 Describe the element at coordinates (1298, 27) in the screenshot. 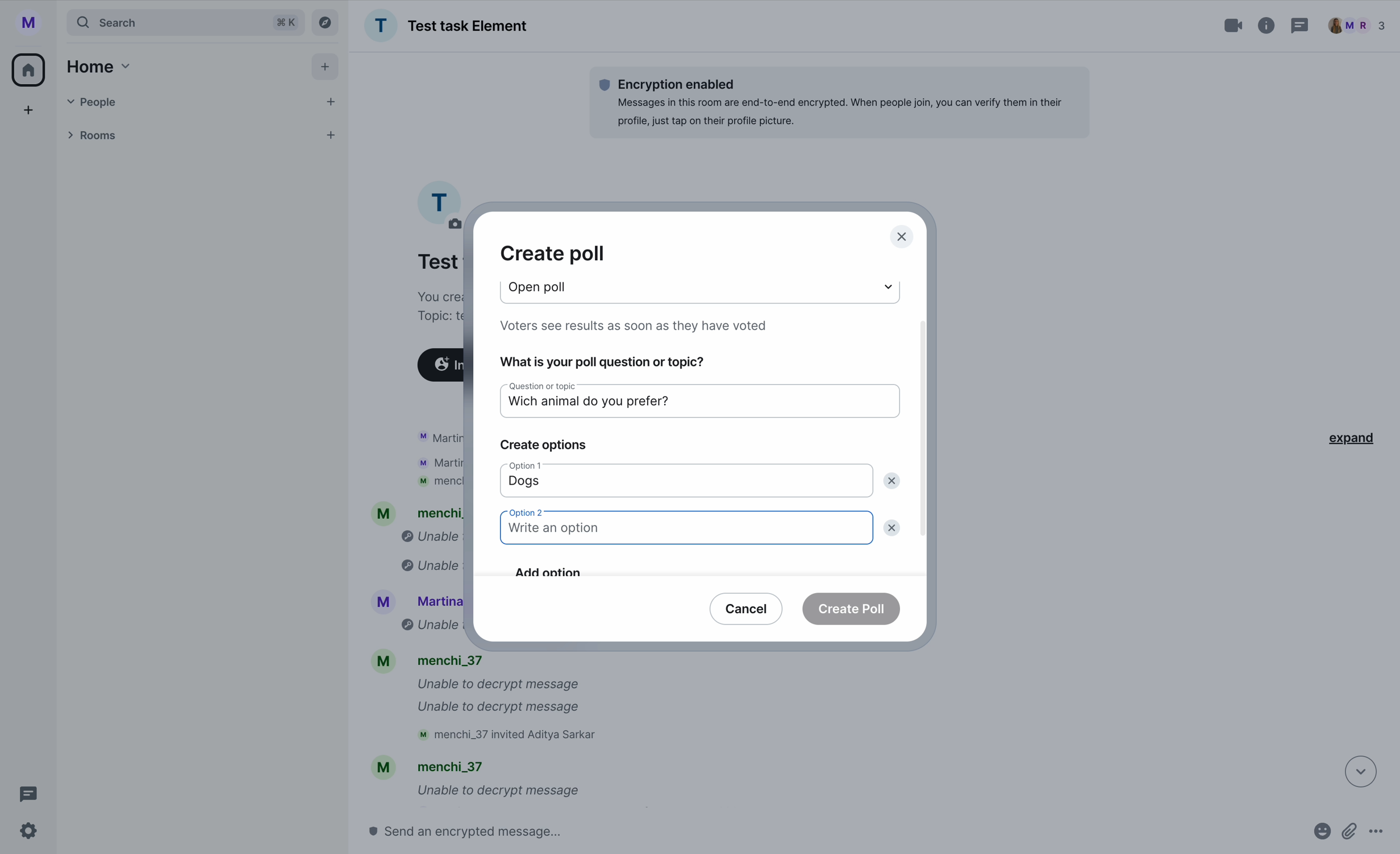

I see `threads` at that location.